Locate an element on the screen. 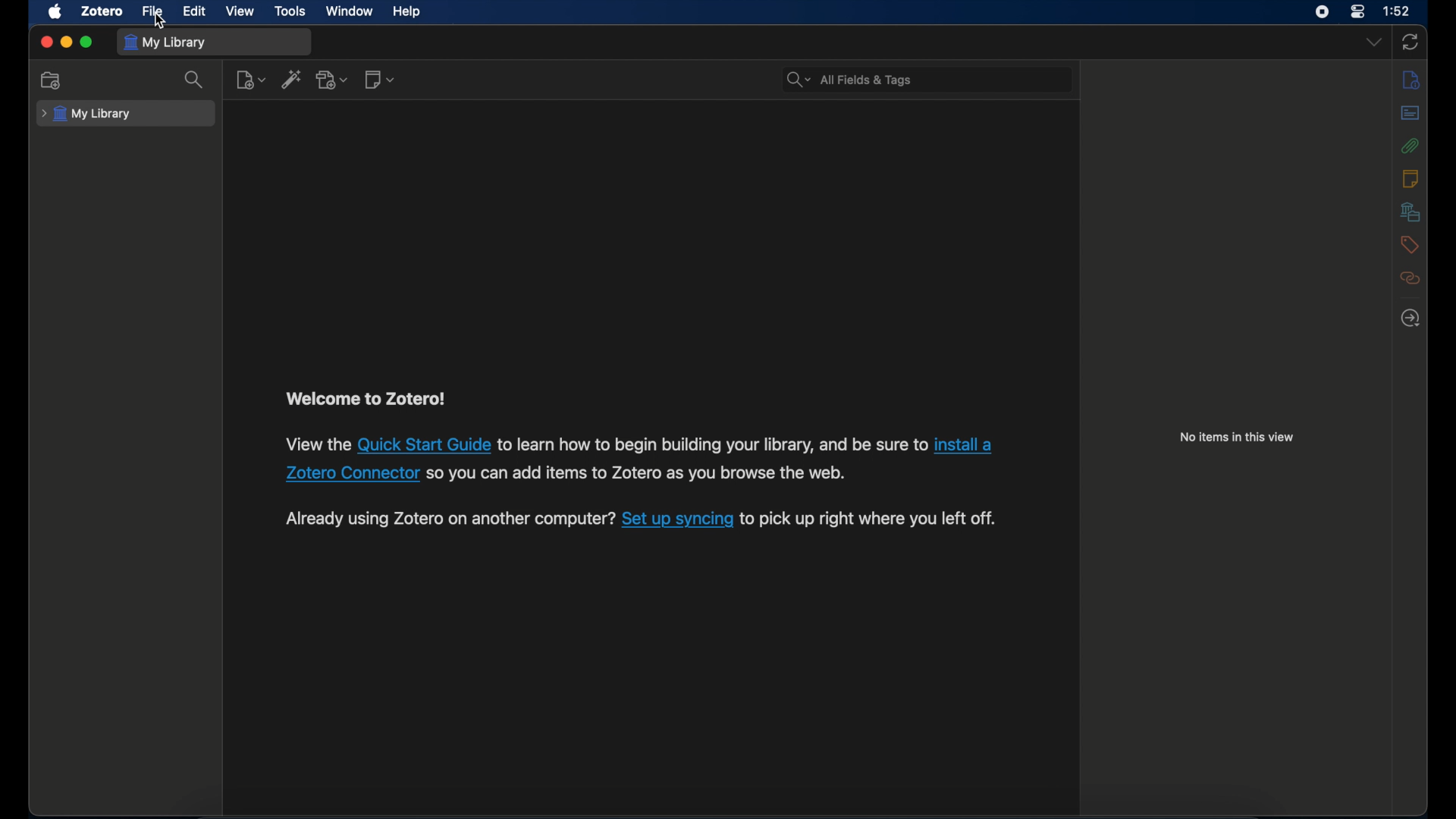 Image resolution: width=1456 pixels, height=819 pixels. notes is located at coordinates (1410, 179).